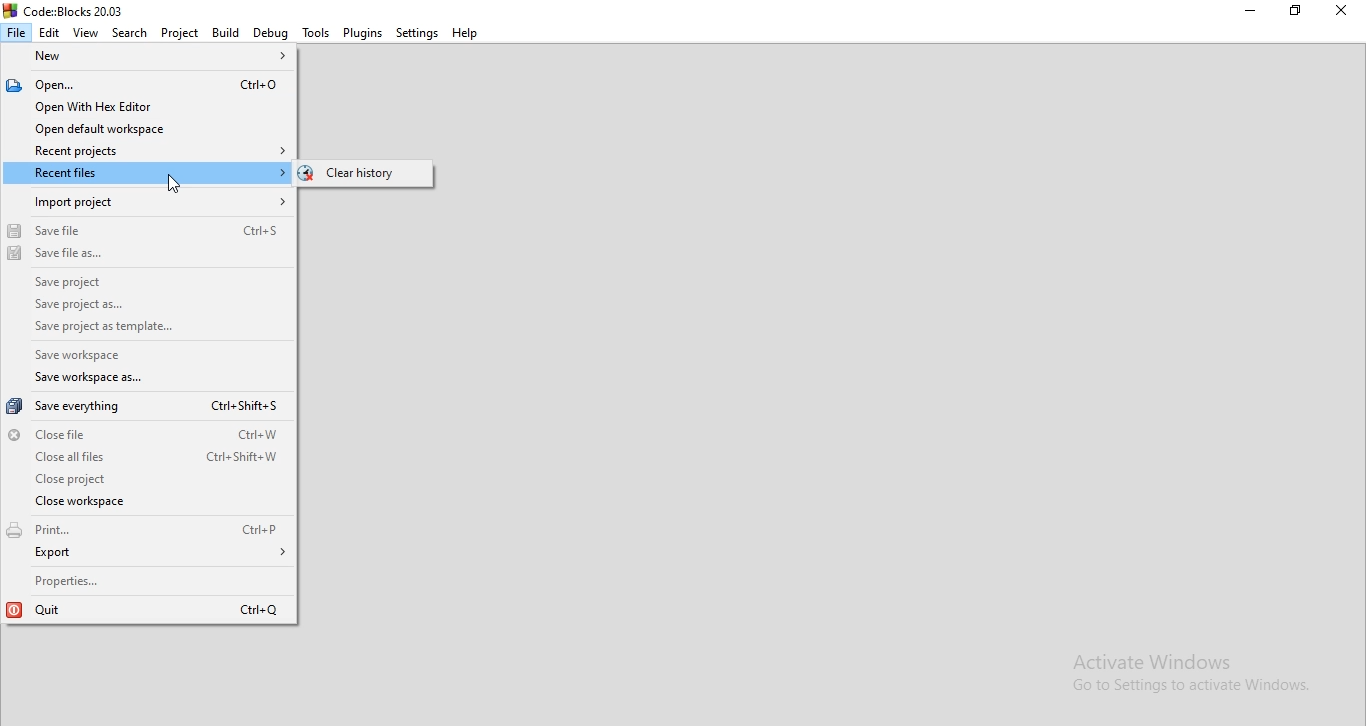 This screenshot has height=726, width=1366. What do you see at coordinates (143, 479) in the screenshot?
I see `Close Project` at bounding box center [143, 479].